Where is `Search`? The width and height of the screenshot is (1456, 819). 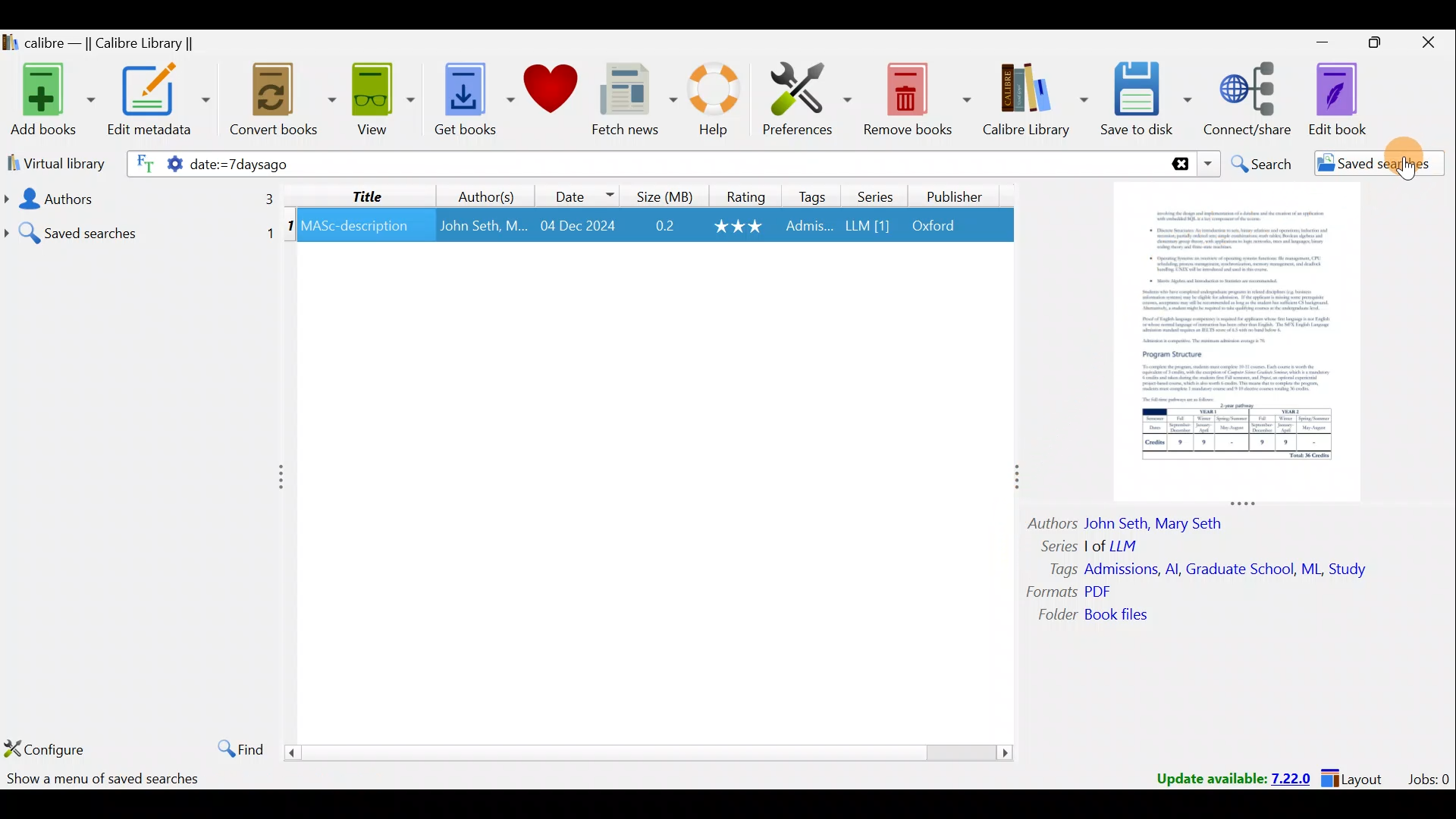 Search is located at coordinates (1260, 164).